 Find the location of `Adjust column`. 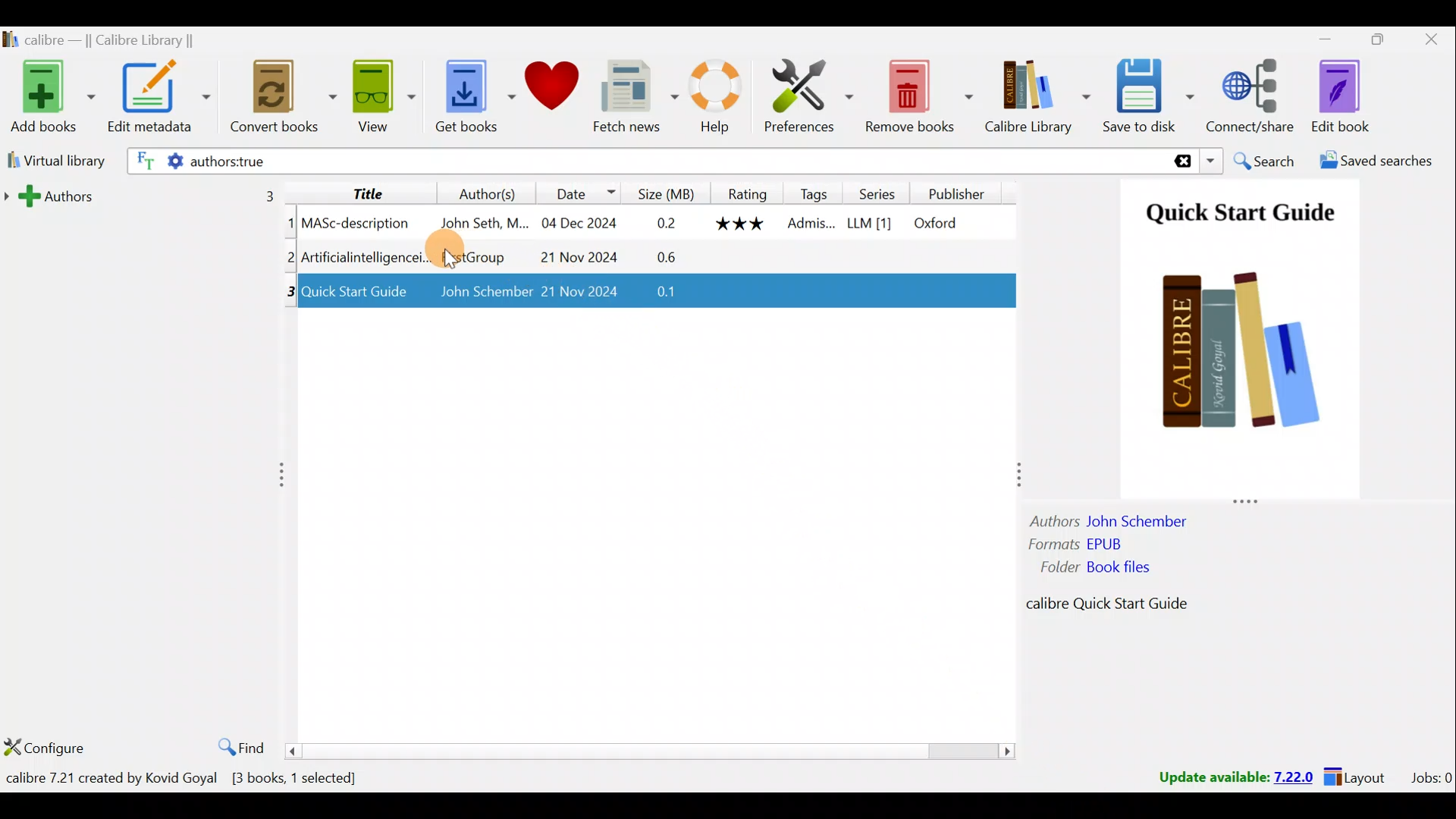

Adjust column is located at coordinates (287, 475).